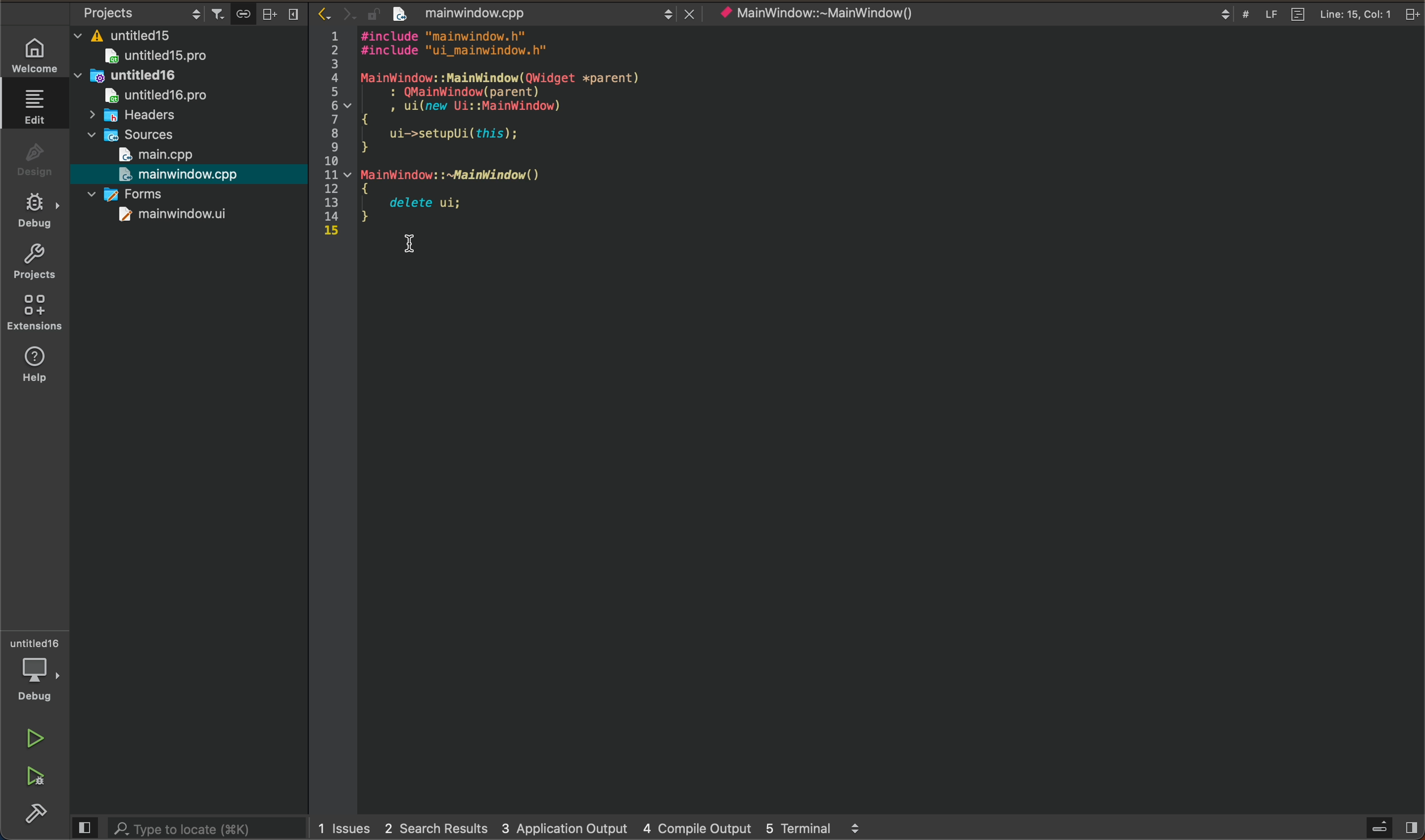 The image size is (1425, 840). I want to click on untitled15, so click(136, 32).